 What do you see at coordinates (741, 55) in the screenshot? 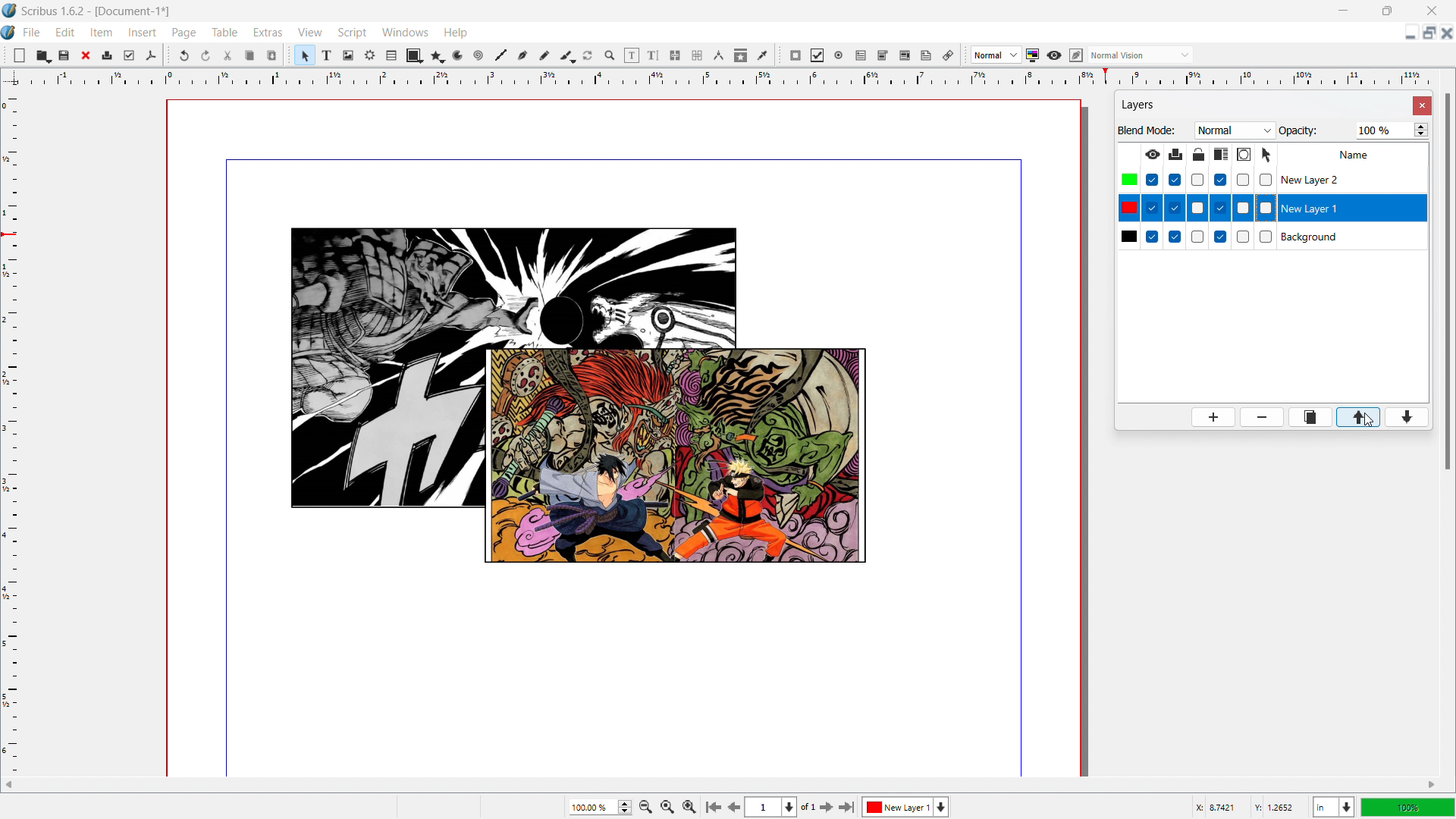
I see `copy item proprties` at bounding box center [741, 55].